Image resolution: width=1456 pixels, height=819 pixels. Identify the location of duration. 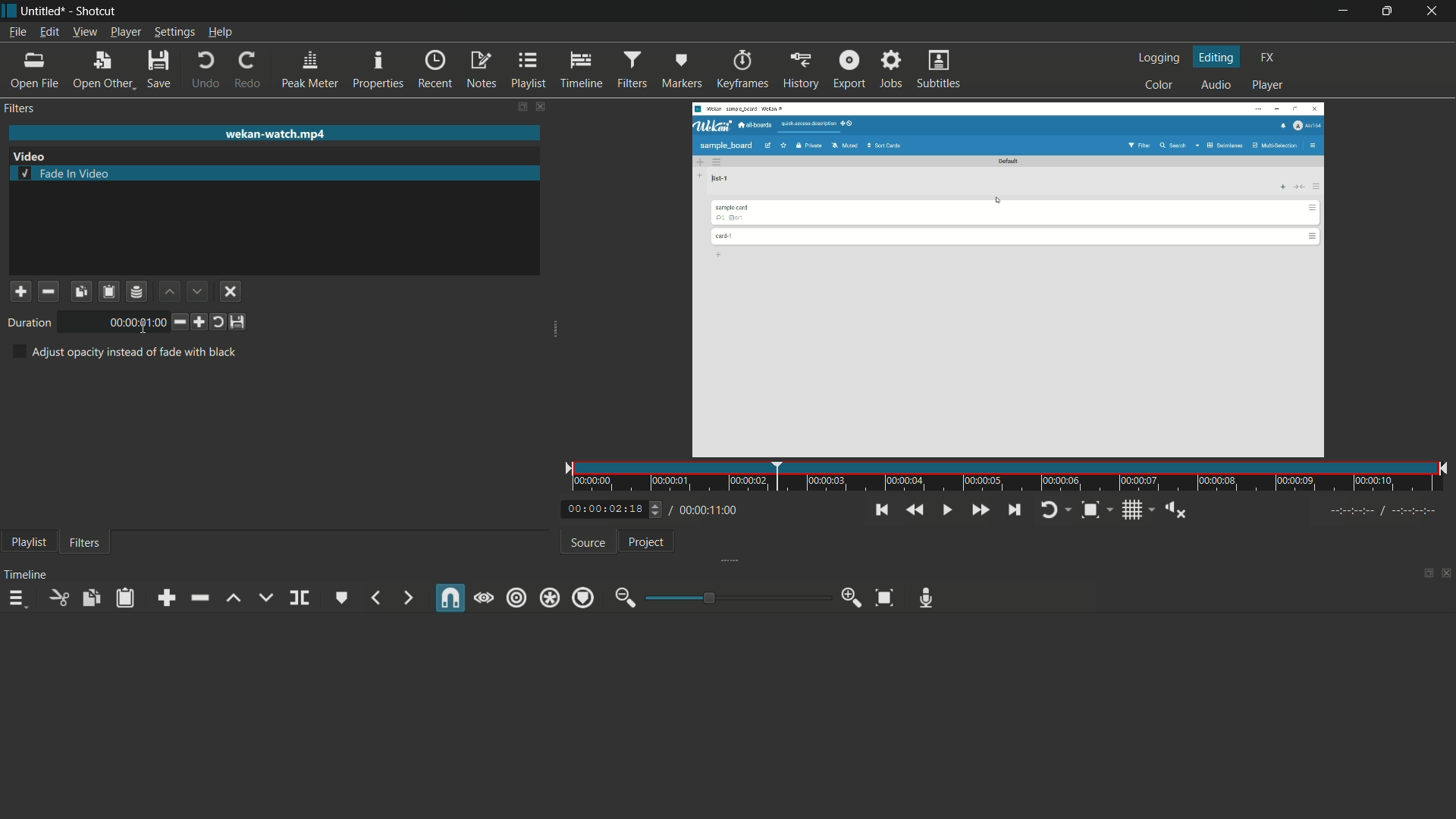
(27, 323).